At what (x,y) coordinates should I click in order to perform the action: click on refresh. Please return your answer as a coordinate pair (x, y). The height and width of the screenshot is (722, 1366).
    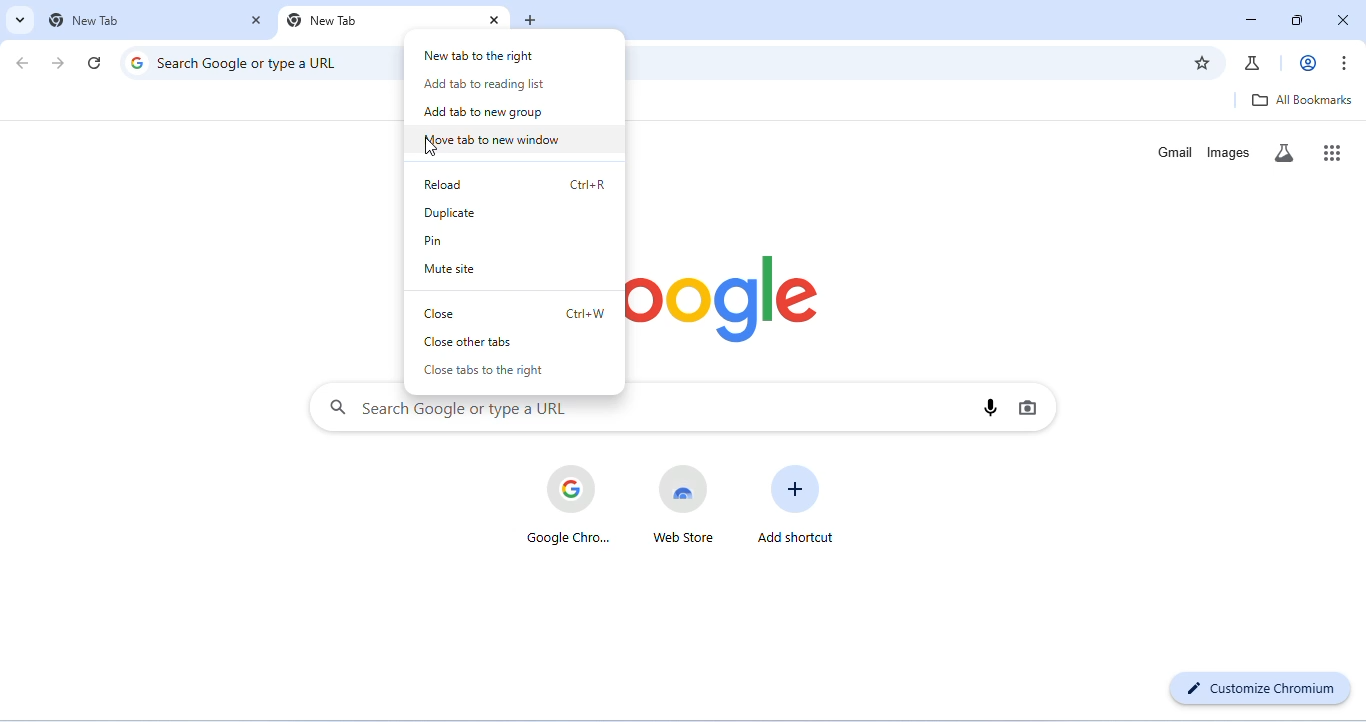
    Looking at the image, I should click on (94, 64).